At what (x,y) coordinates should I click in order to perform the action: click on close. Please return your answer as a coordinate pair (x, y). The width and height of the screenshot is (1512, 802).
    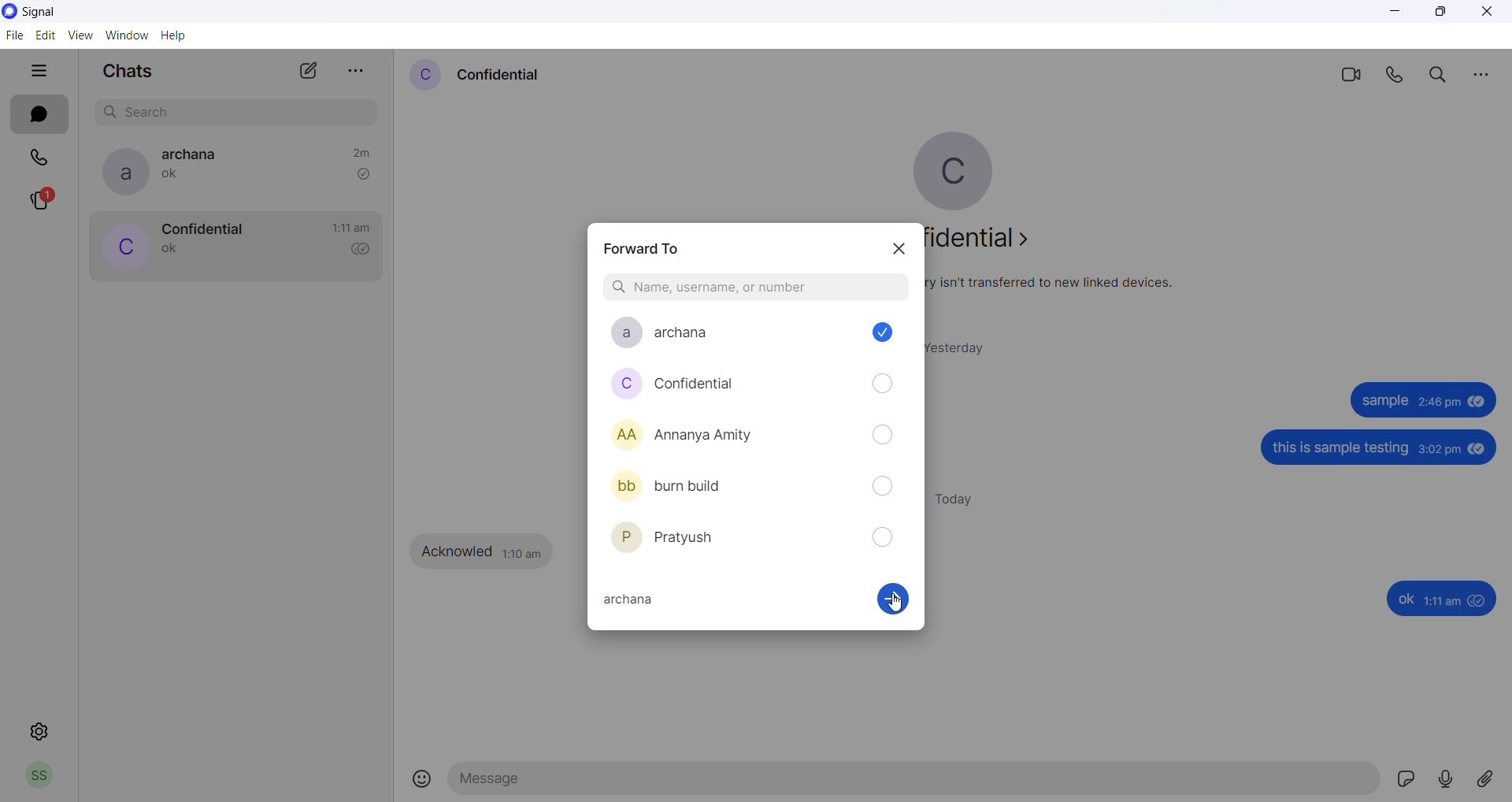
    Looking at the image, I should click on (900, 250).